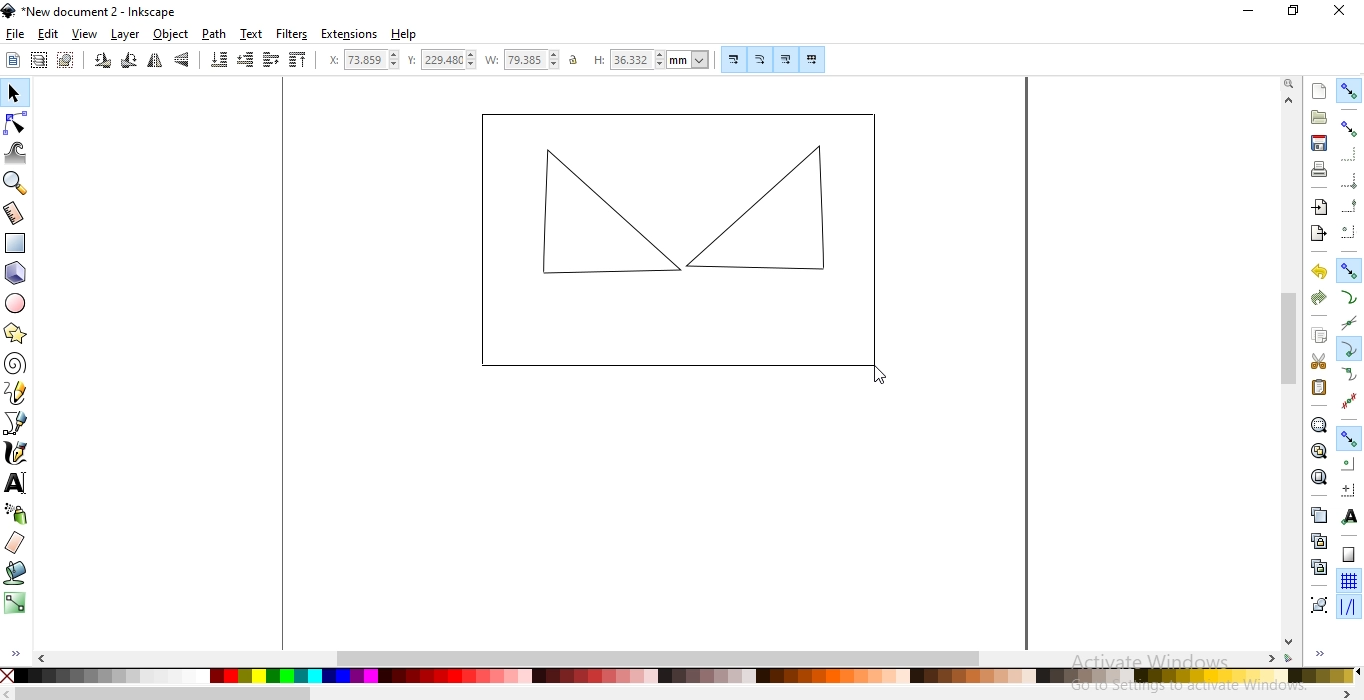 Image resolution: width=1364 pixels, height=700 pixels. What do you see at coordinates (1320, 168) in the screenshot?
I see `print document` at bounding box center [1320, 168].